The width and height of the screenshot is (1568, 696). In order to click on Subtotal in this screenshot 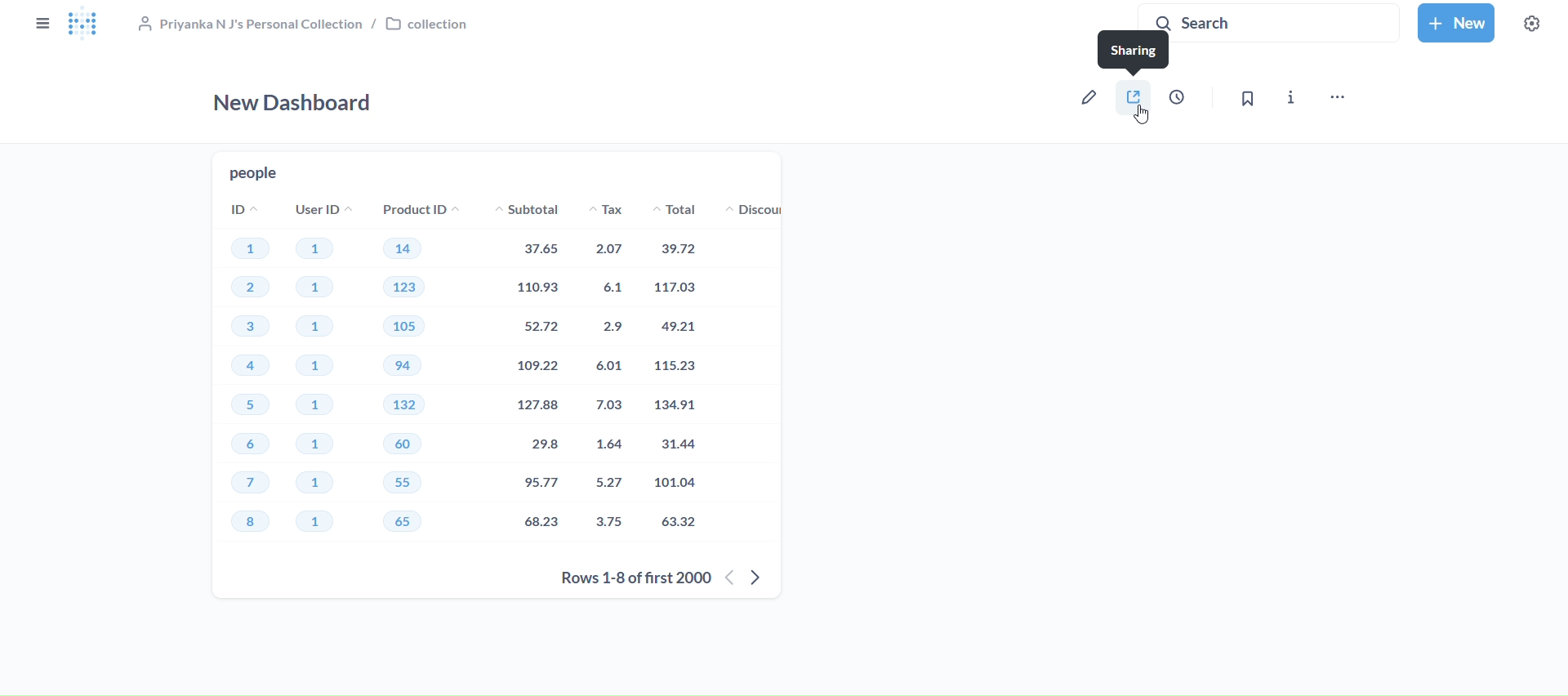, I will do `click(522, 371)`.